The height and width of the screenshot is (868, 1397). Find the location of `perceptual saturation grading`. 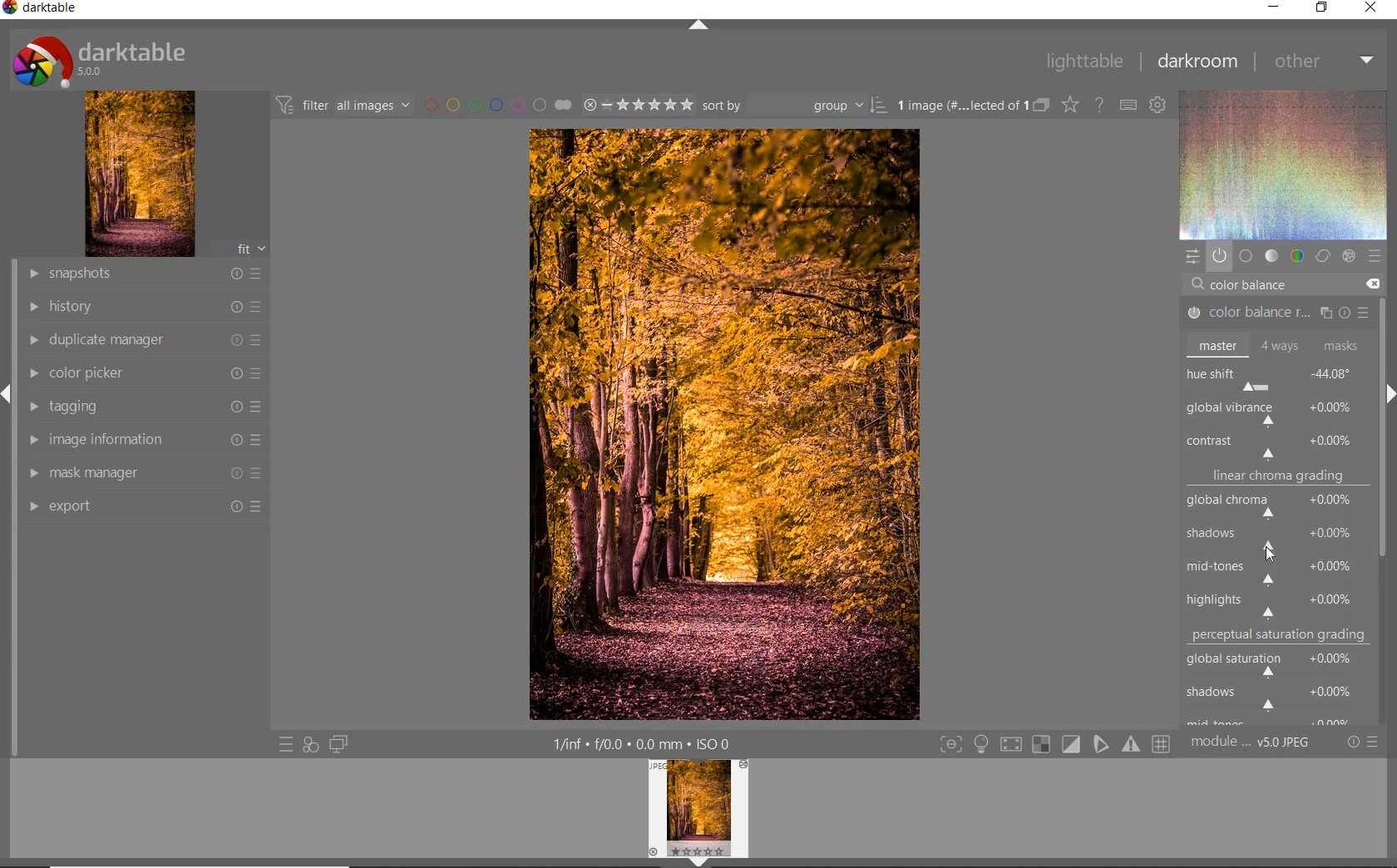

perceptual saturation grading is located at coordinates (1281, 635).